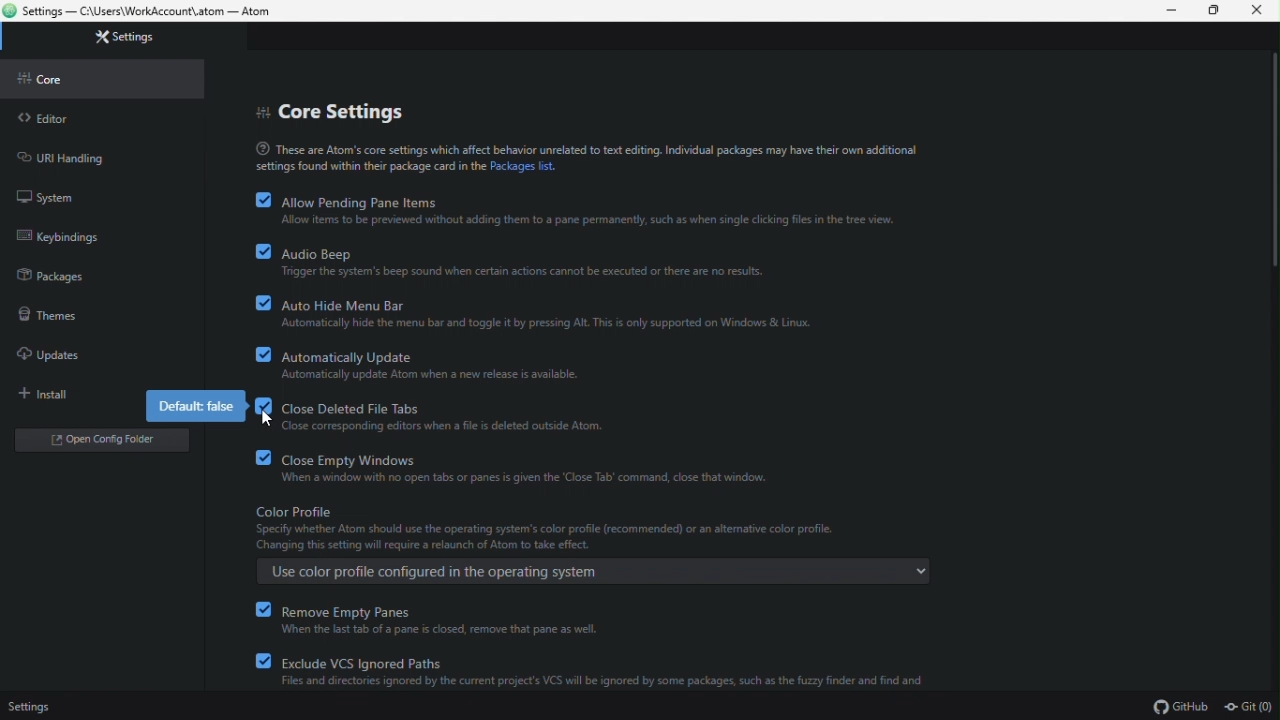  Describe the element at coordinates (259, 459) in the screenshot. I see `checkbox` at that location.